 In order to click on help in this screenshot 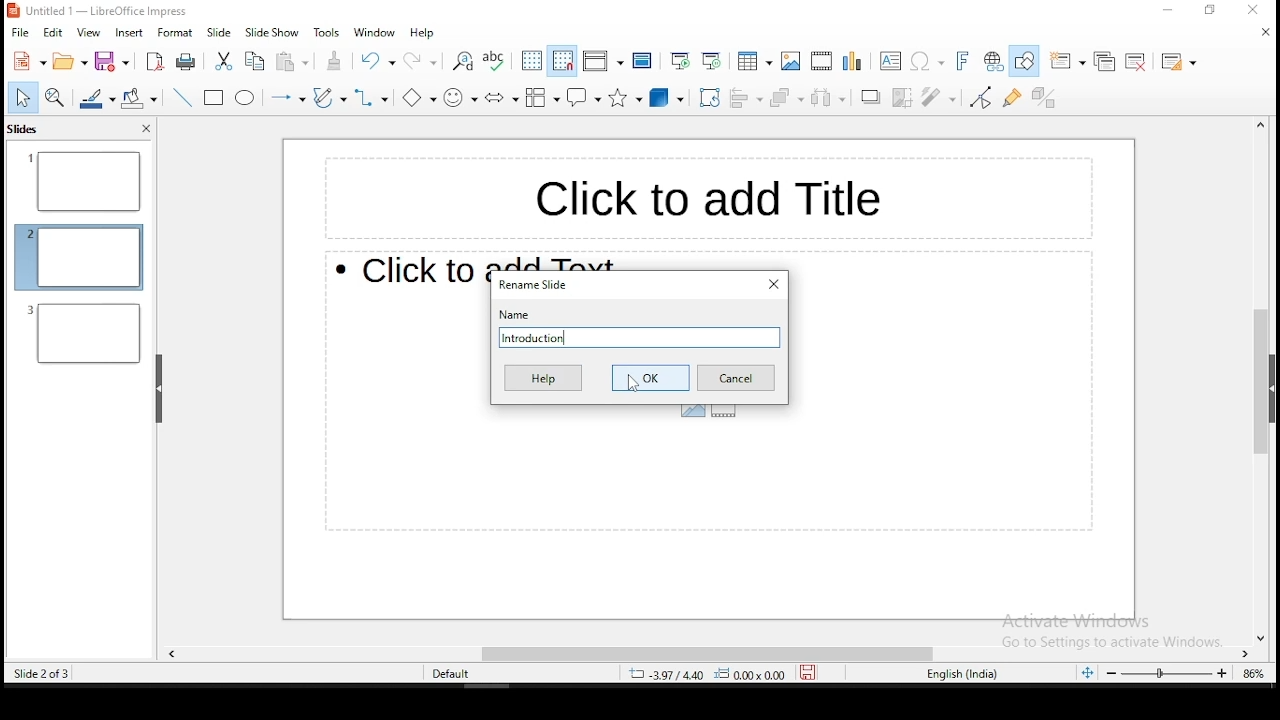, I will do `click(420, 33)`.